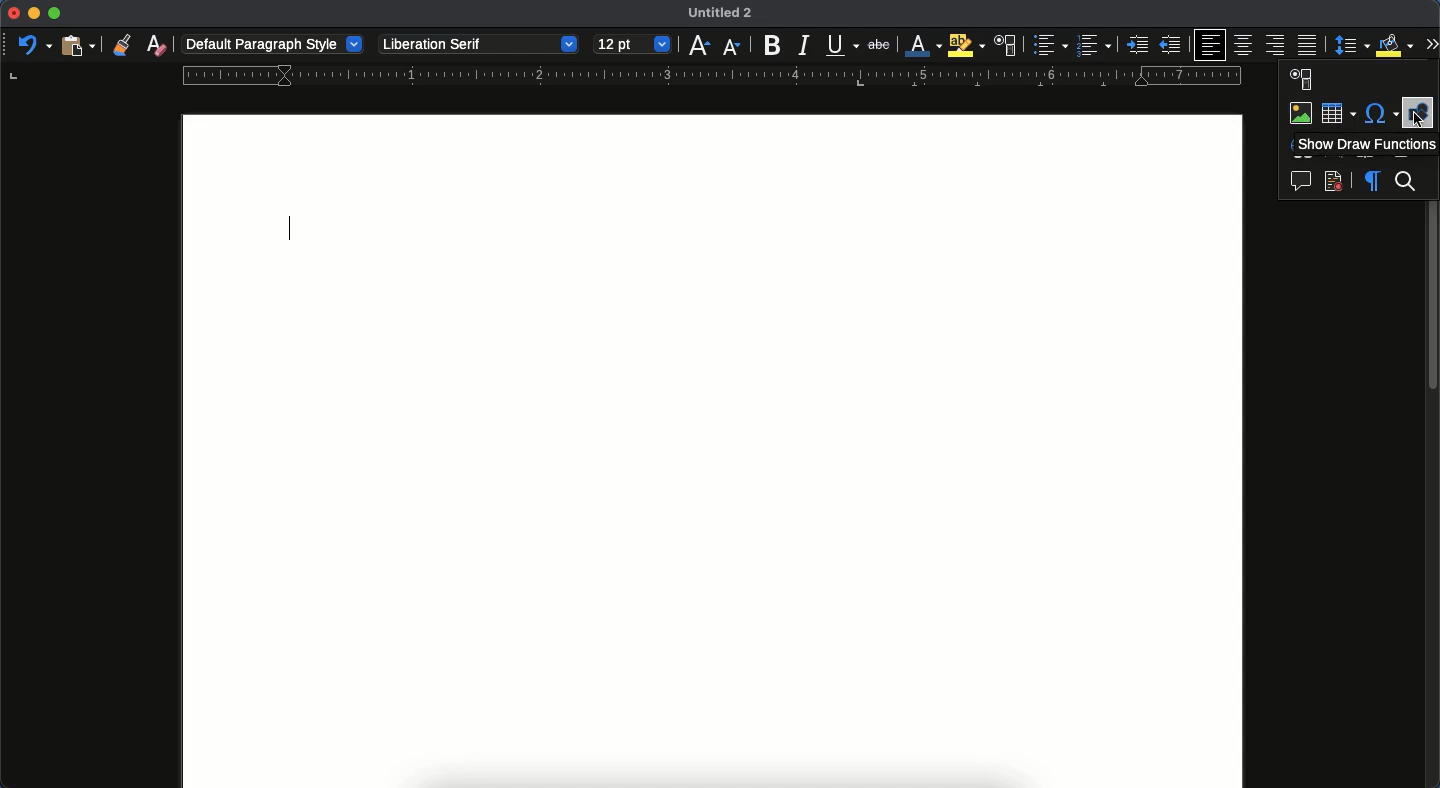 The image size is (1440, 788). What do you see at coordinates (1338, 111) in the screenshot?
I see `table` at bounding box center [1338, 111].